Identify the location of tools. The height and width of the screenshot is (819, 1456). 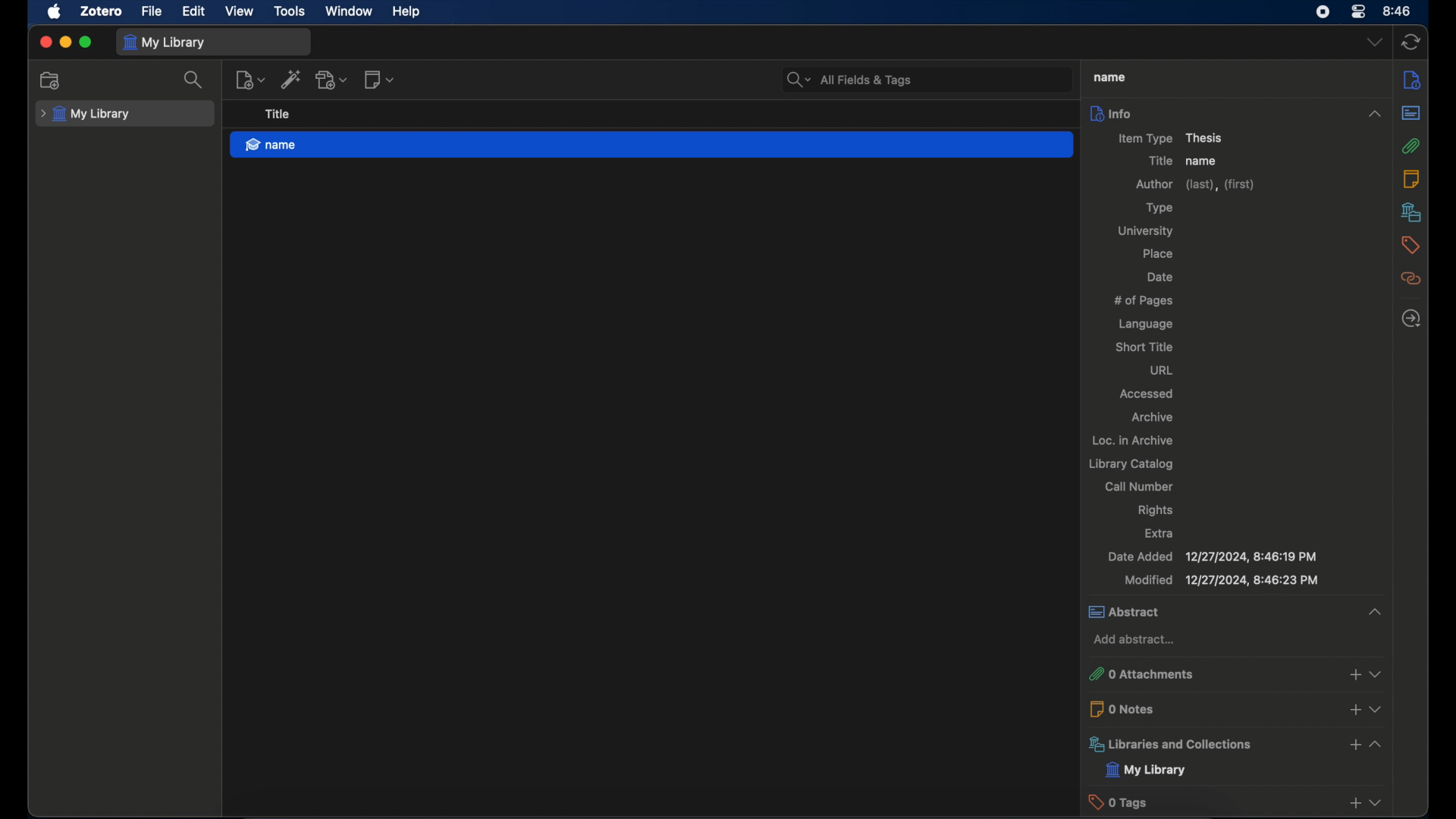
(290, 11).